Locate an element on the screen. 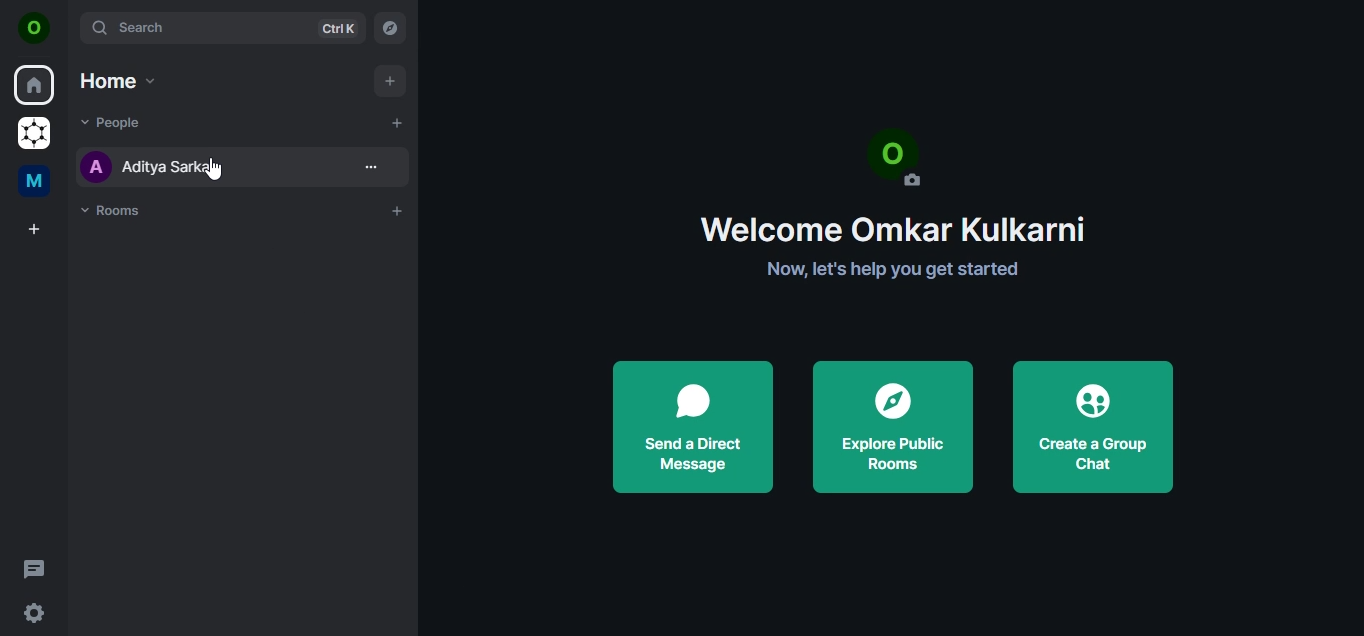 The width and height of the screenshot is (1364, 636). text is located at coordinates (887, 202).